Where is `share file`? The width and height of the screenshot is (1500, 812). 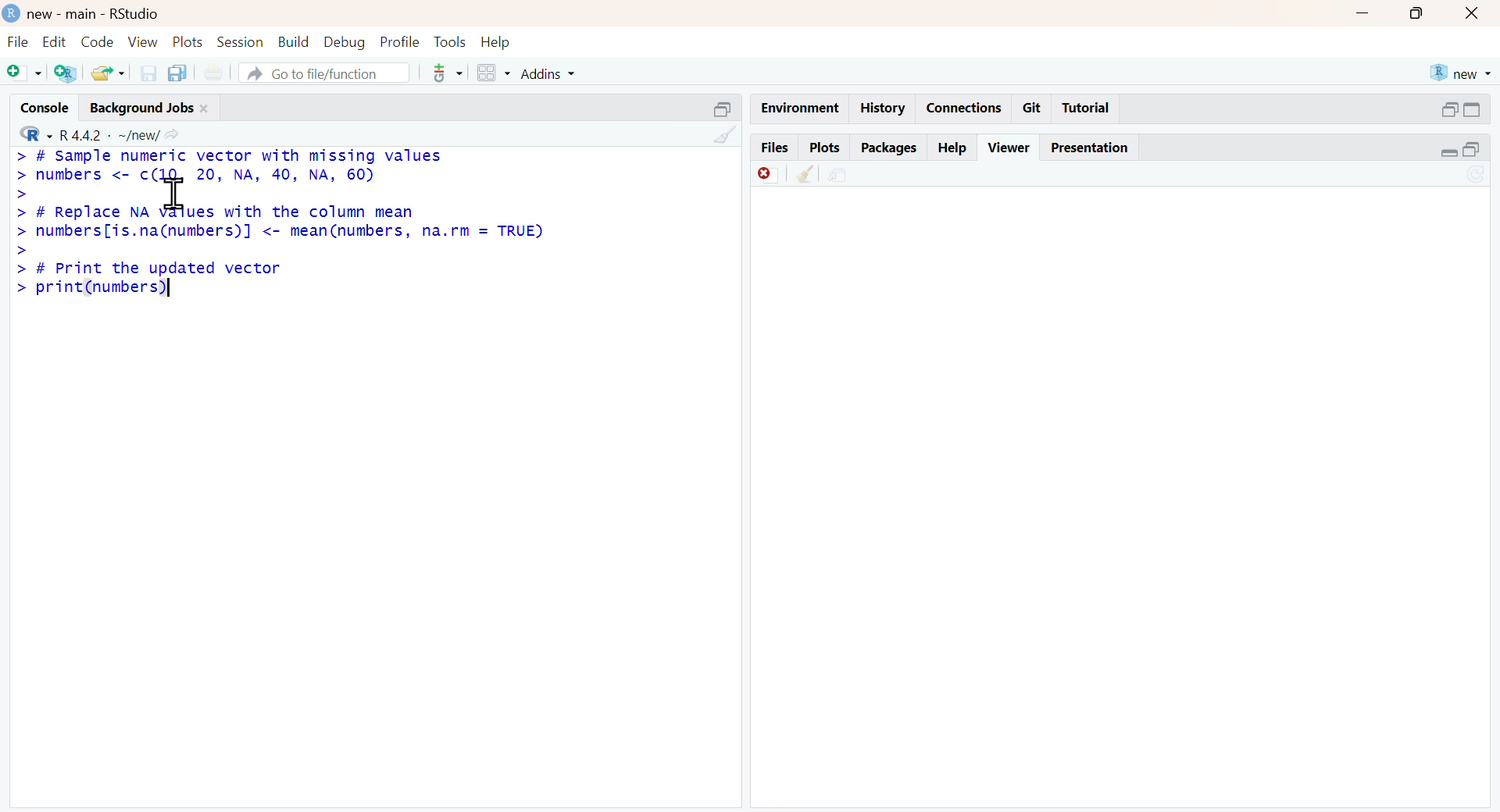
share file is located at coordinates (841, 176).